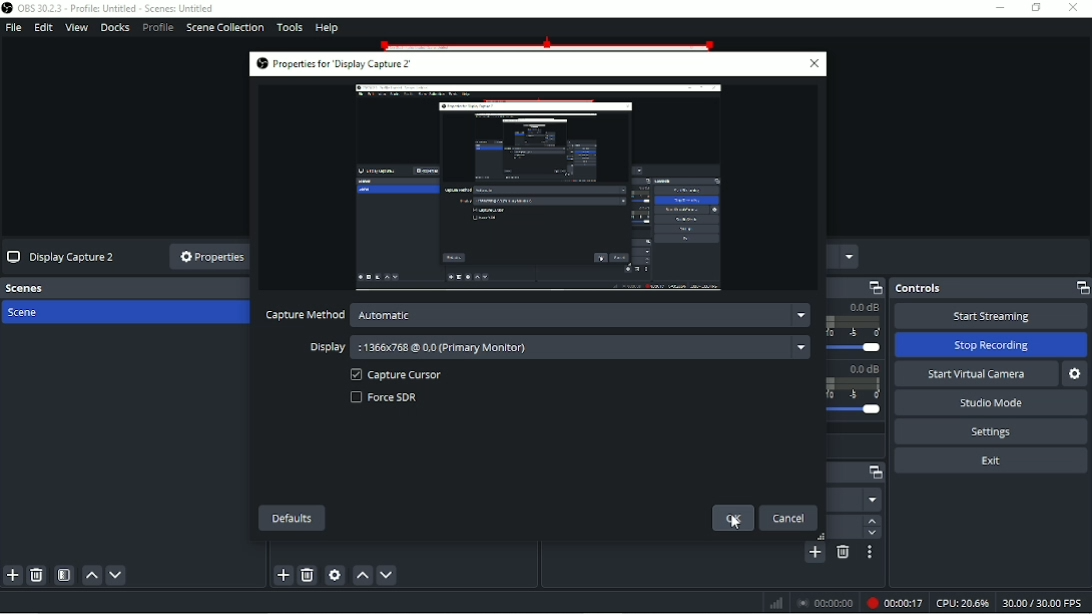 The height and width of the screenshot is (614, 1092). I want to click on Capture method, so click(305, 316).